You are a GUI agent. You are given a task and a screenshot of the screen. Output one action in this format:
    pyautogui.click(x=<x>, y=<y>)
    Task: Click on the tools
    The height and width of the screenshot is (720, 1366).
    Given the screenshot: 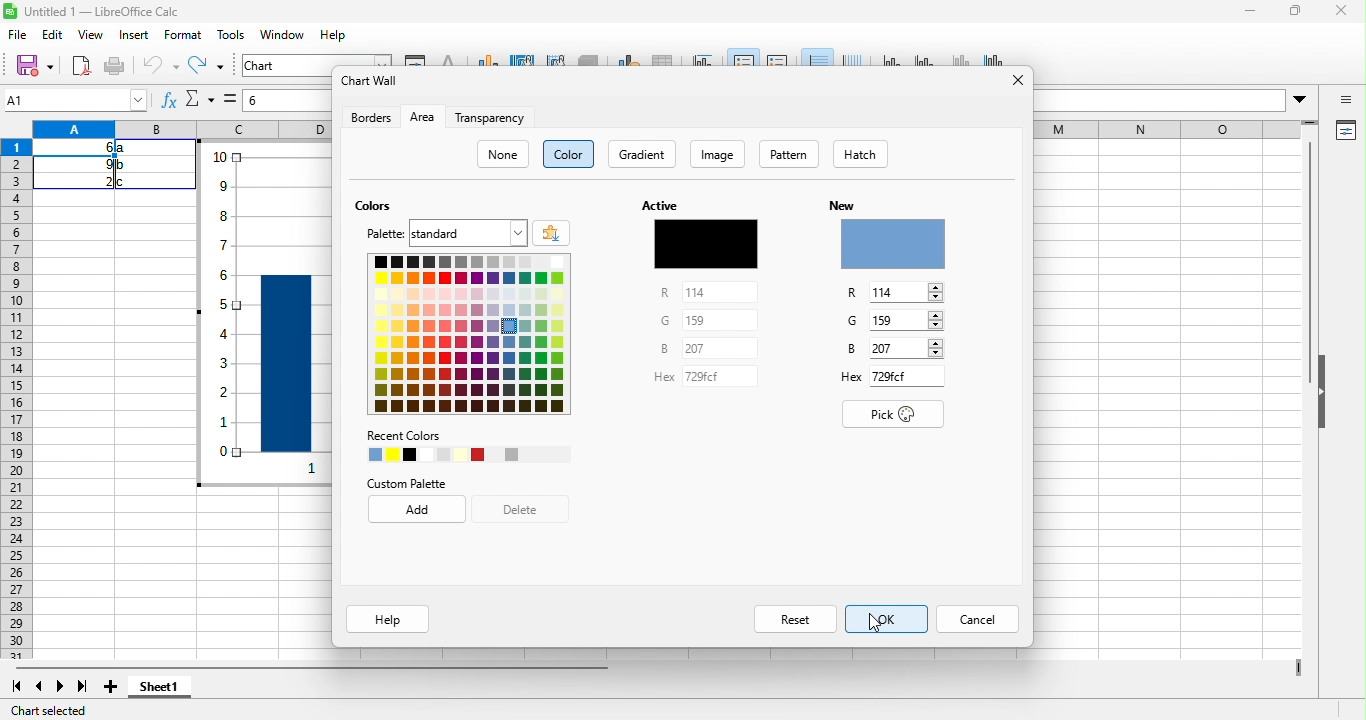 What is the action you would take?
    pyautogui.click(x=231, y=36)
    